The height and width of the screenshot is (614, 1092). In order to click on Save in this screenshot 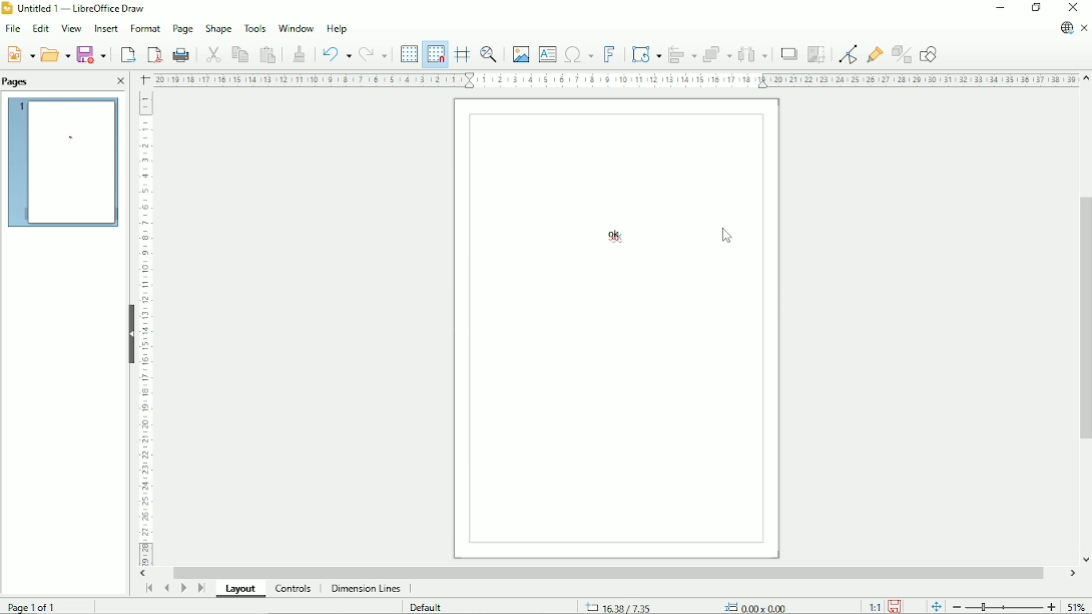, I will do `click(894, 606)`.